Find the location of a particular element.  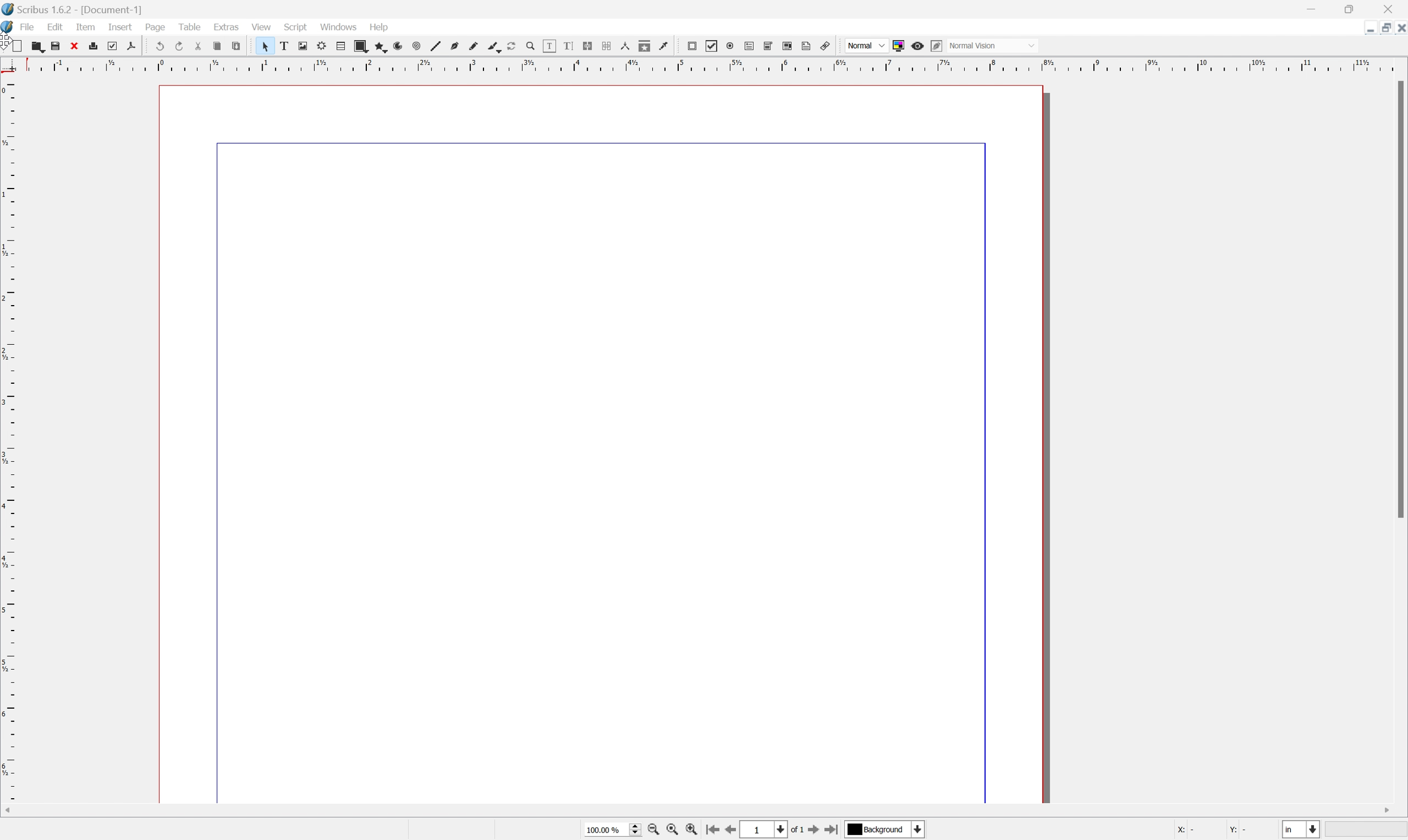

freehand line is located at coordinates (470, 45).